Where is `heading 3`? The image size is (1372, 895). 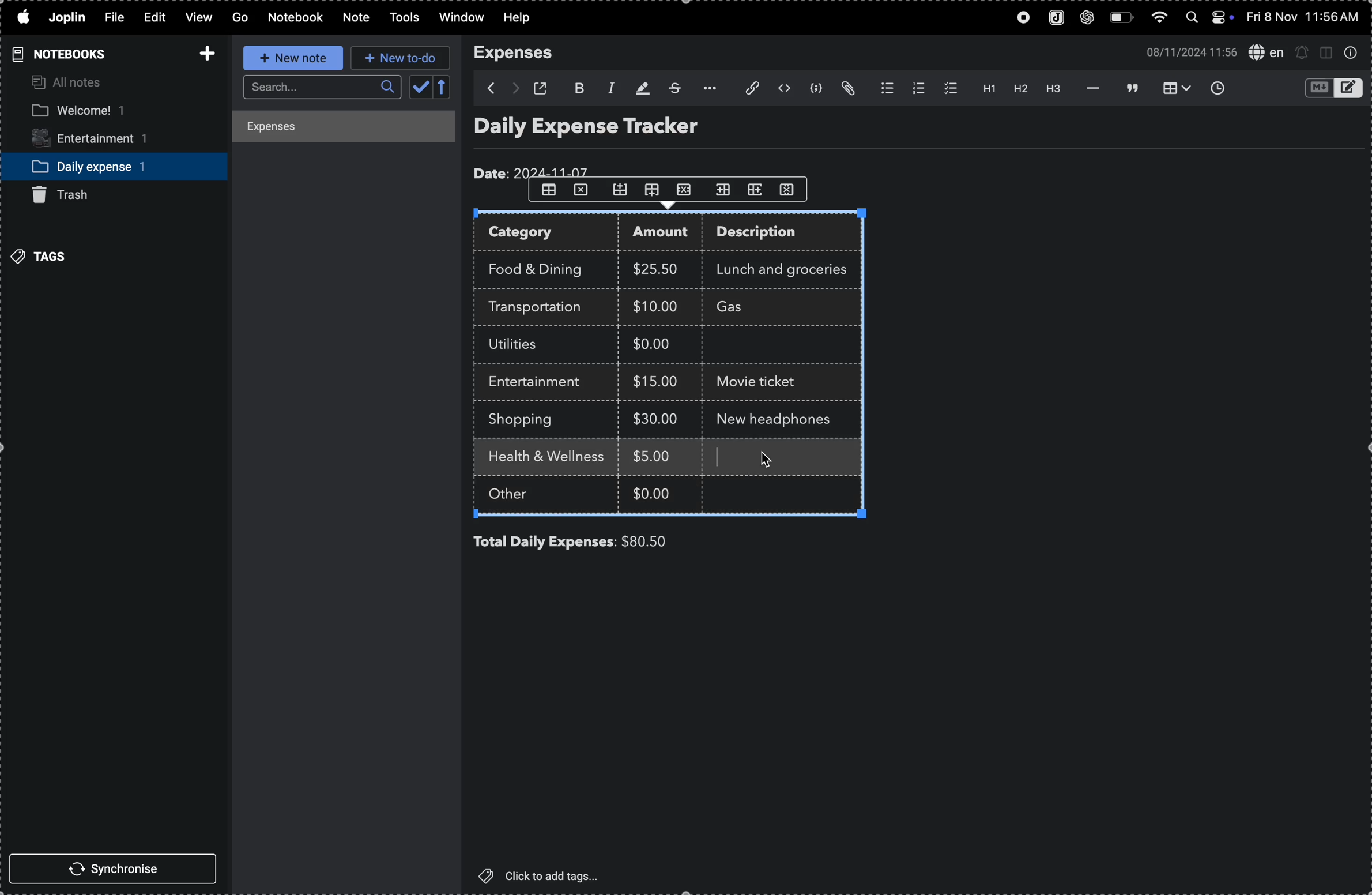 heading 3 is located at coordinates (1054, 90).